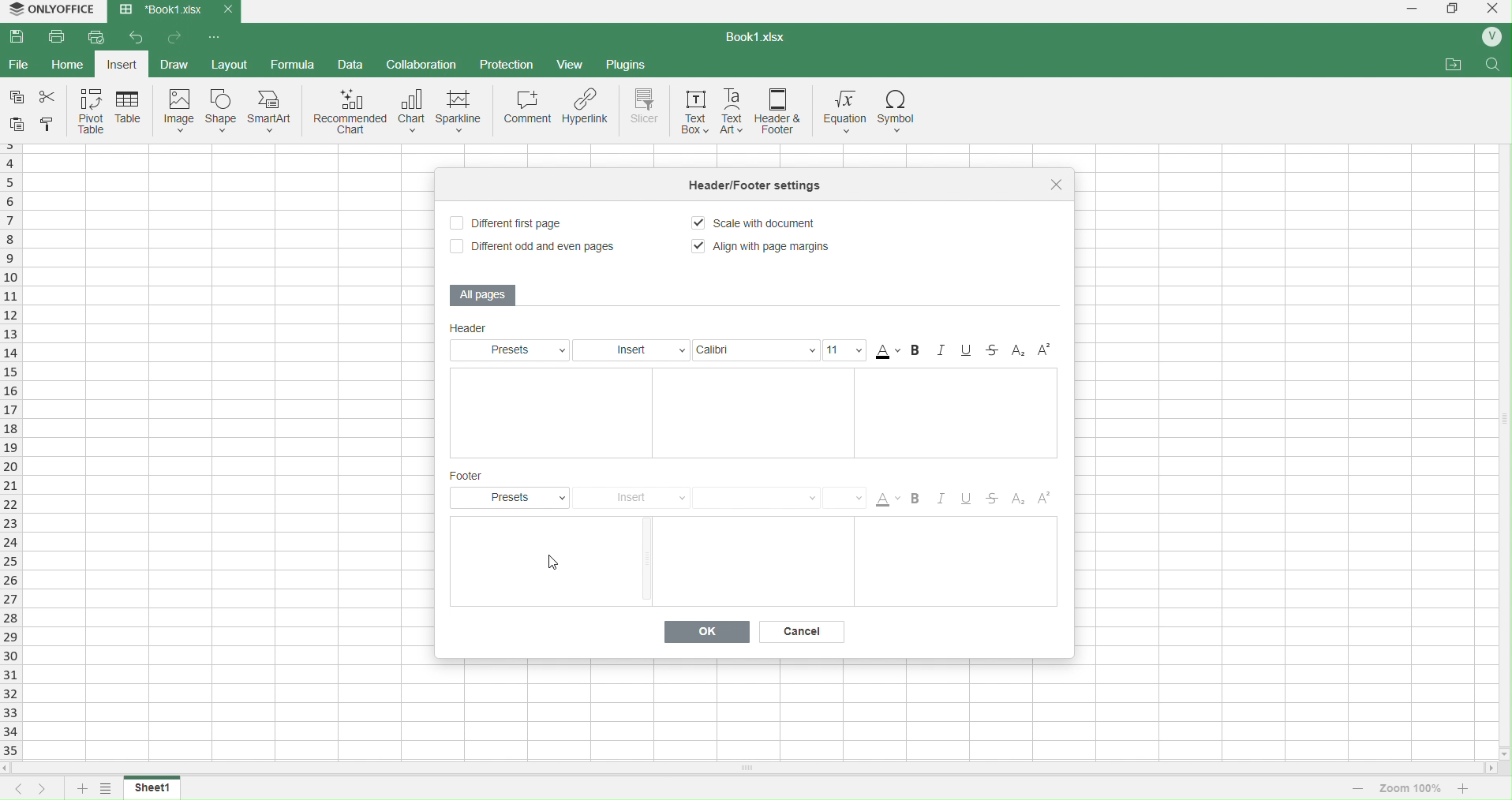 The width and height of the screenshot is (1512, 800). I want to click on Ok, so click(709, 631).